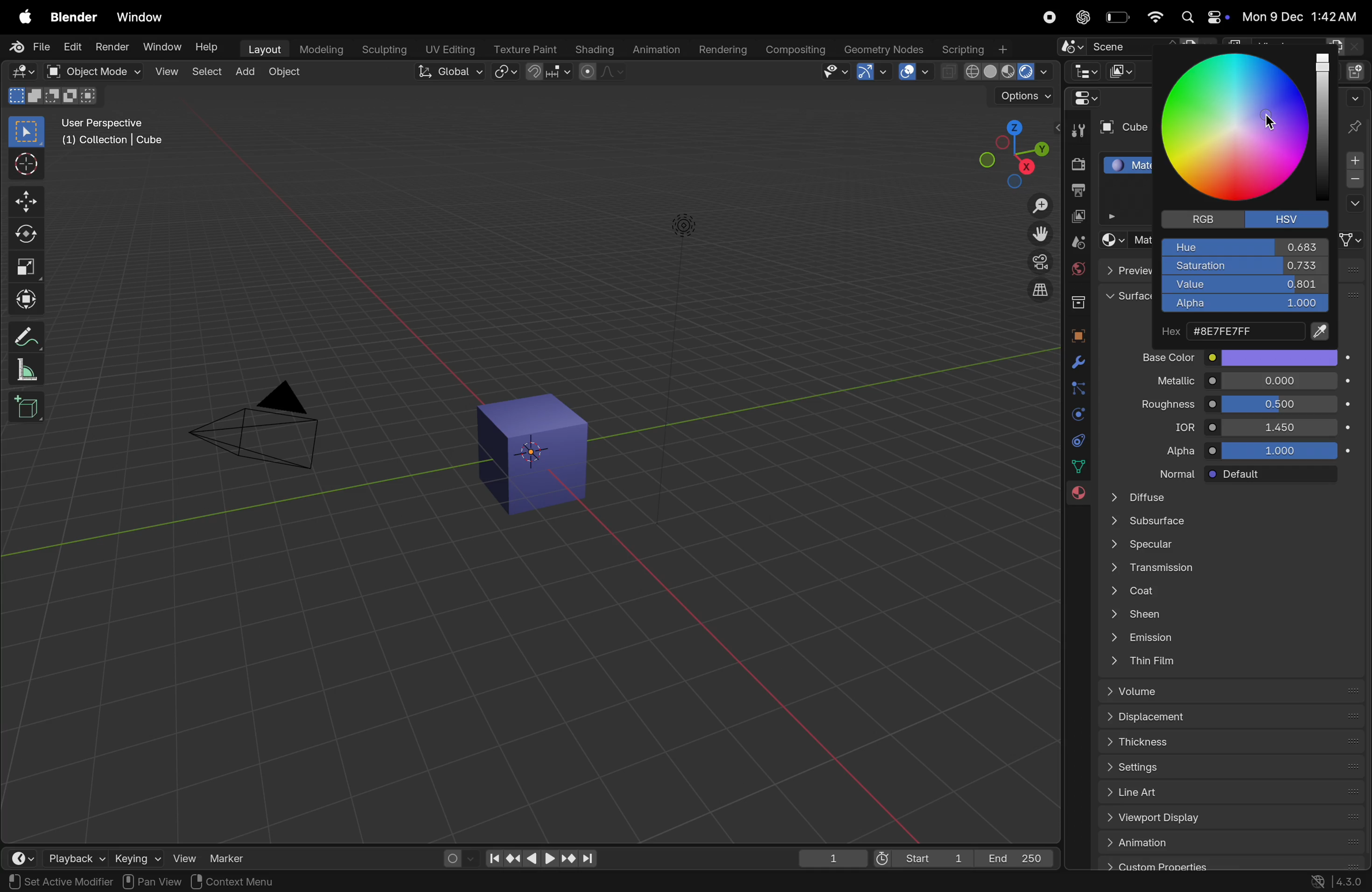 The width and height of the screenshot is (1372, 892). I want to click on Edit, so click(73, 46).